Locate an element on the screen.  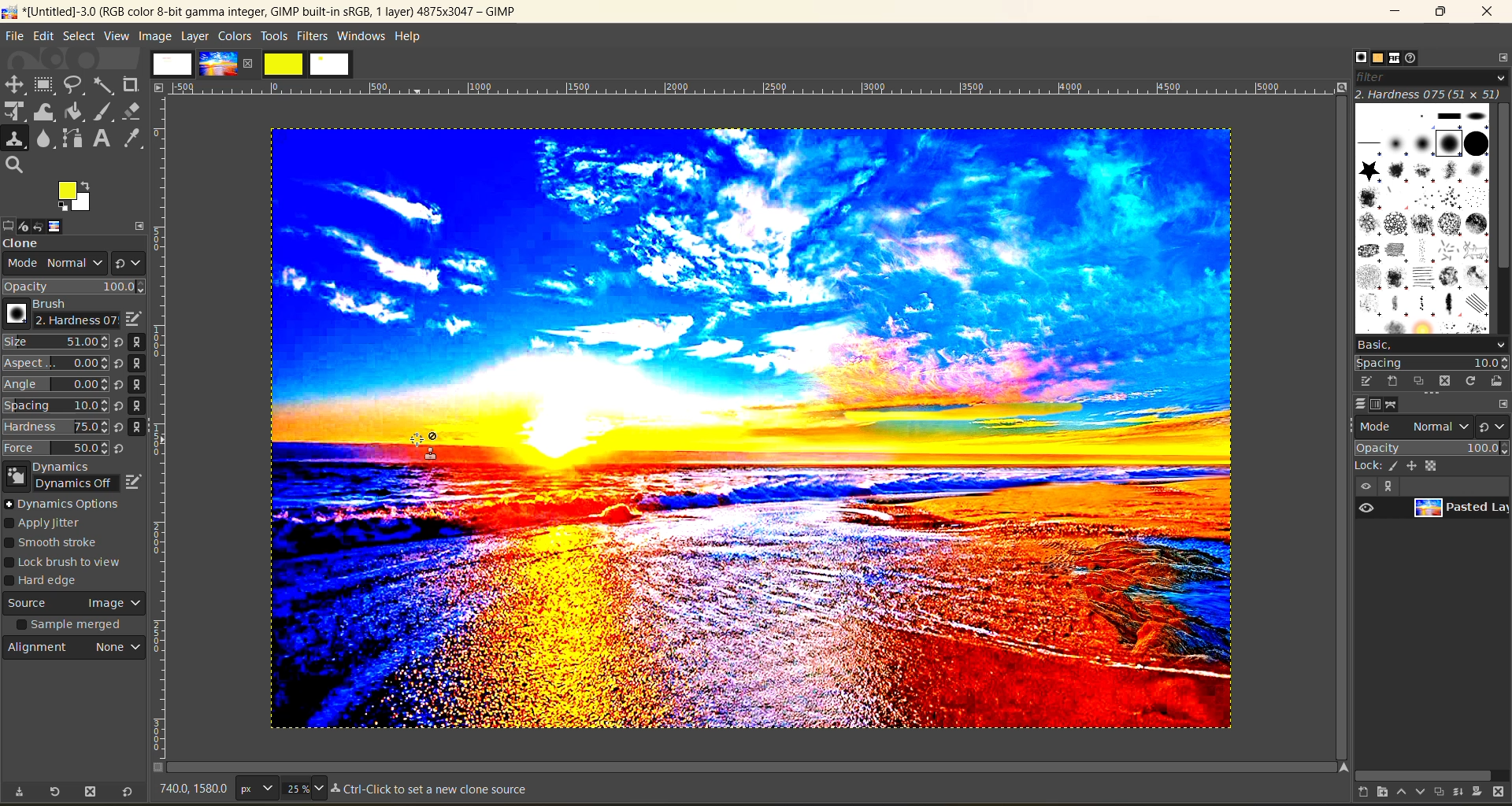
paths is located at coordinates (1399, 405).